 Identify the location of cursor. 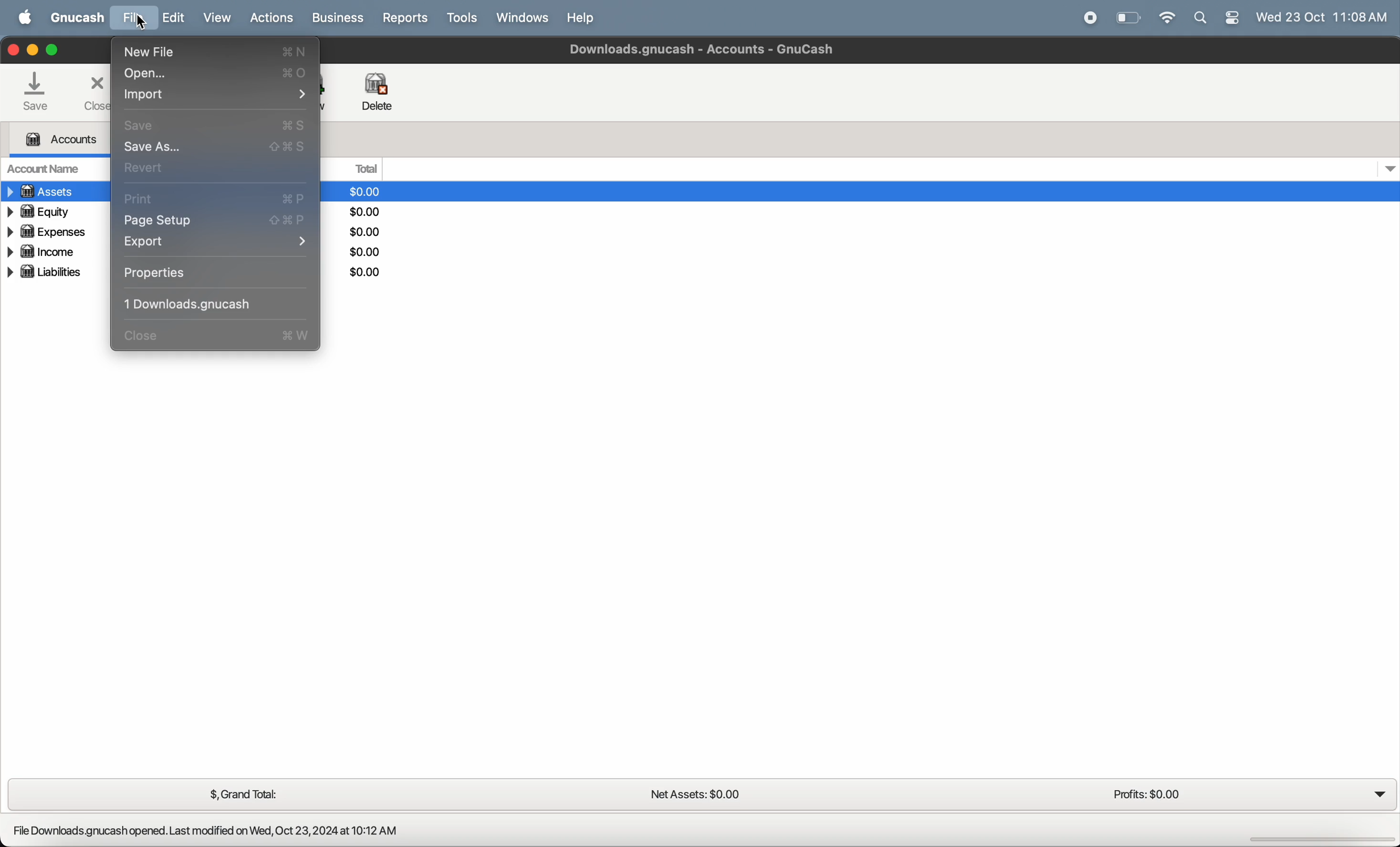
(141, 24).